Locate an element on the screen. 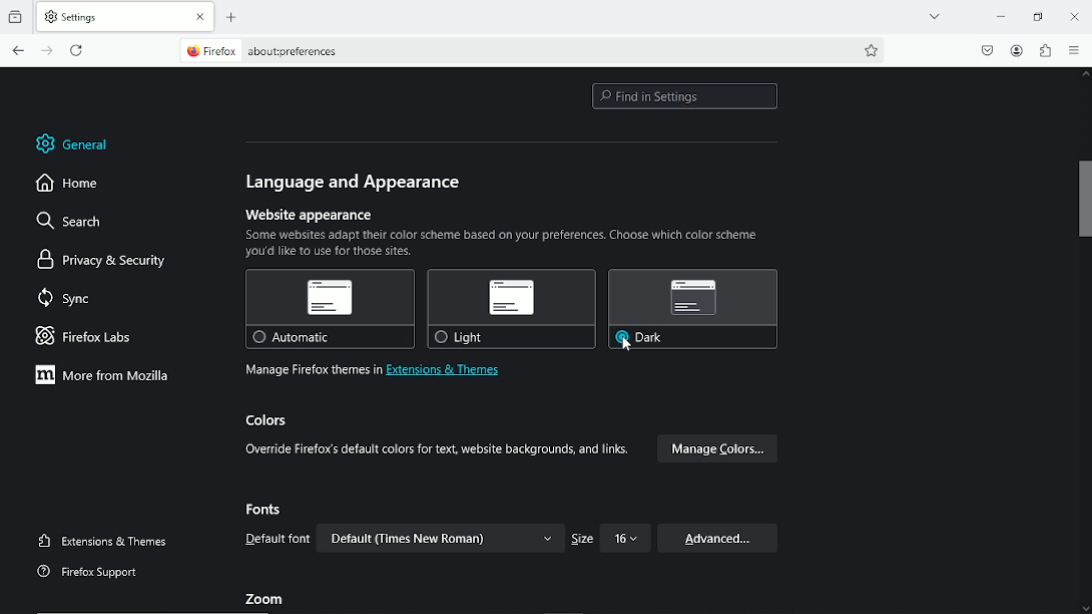  account is located at coordinates (1017, 50).